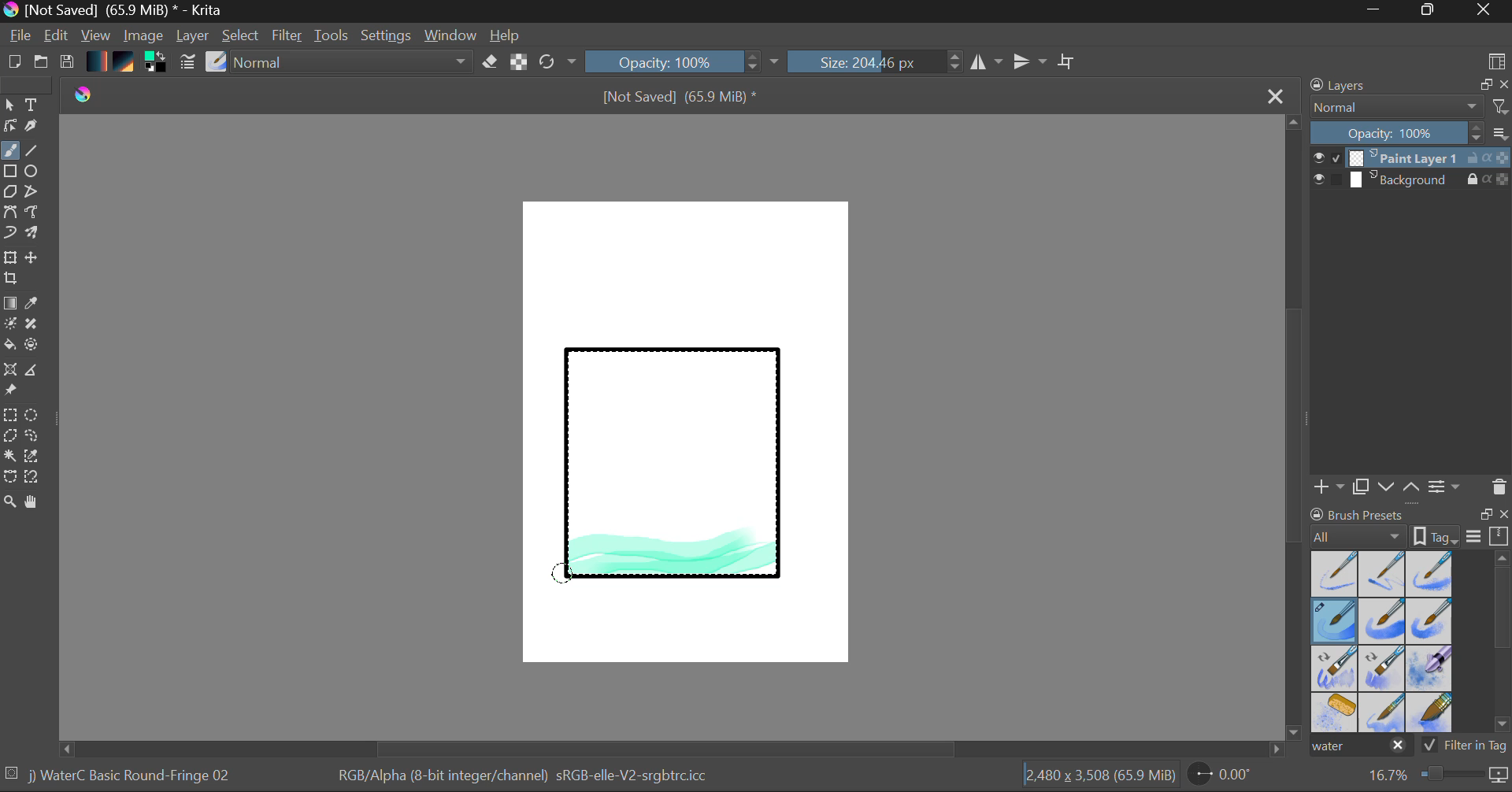 This screenshot has height=792, width=1512. I want to click on Smart Patch Tool, so click(37, 327).